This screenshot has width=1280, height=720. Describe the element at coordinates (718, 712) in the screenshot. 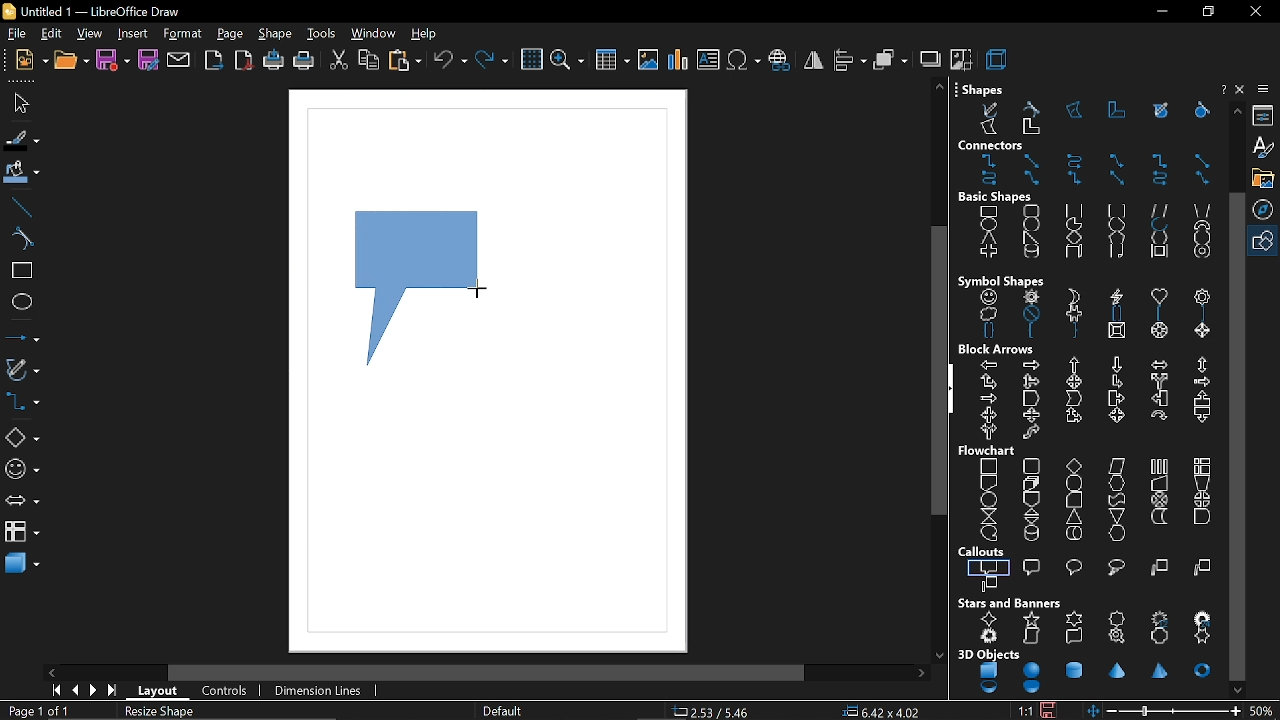

I see `co-ordinate` at that location.